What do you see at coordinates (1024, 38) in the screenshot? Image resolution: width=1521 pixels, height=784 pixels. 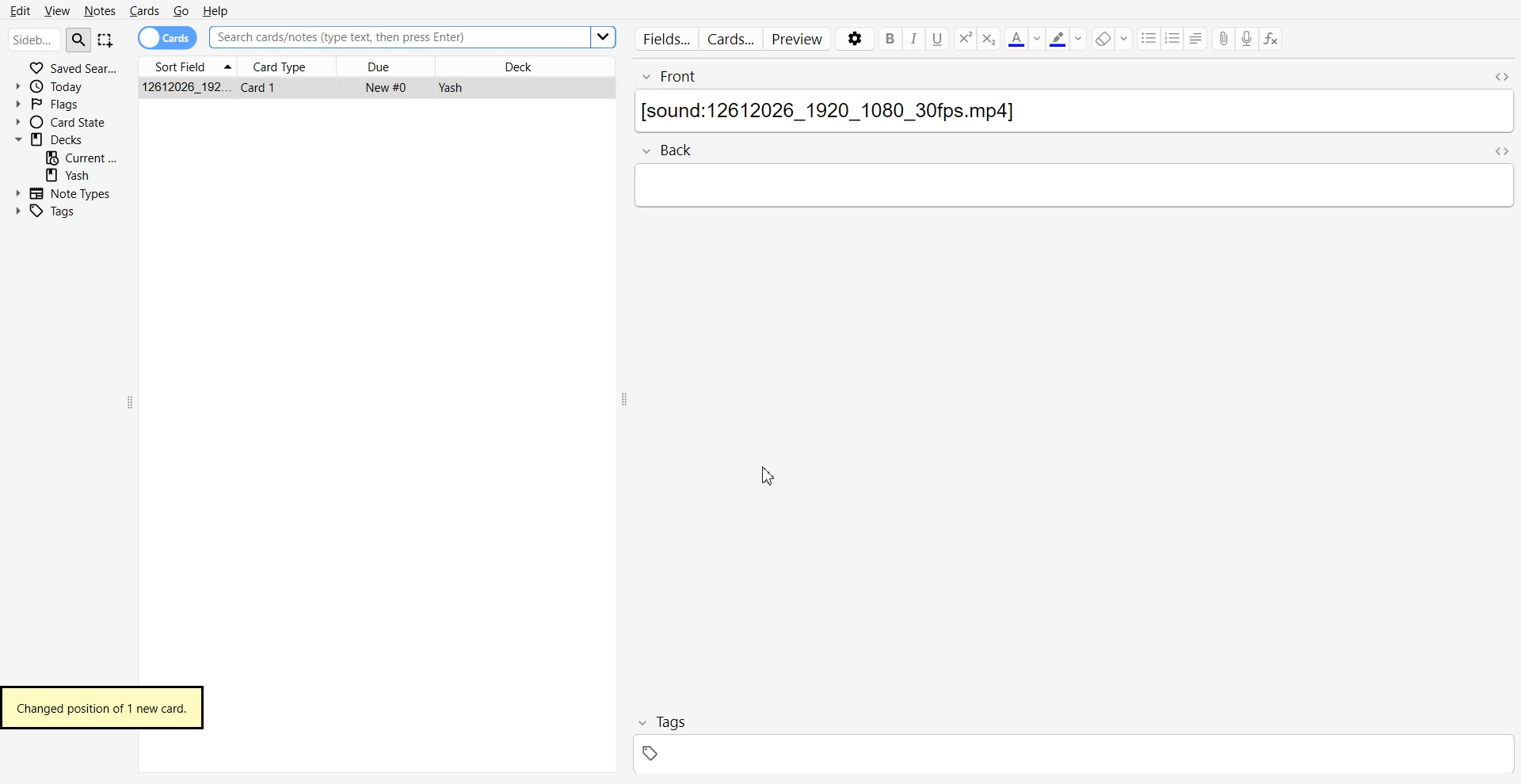 I see `Text Color` at bounding box center [1024, 38].